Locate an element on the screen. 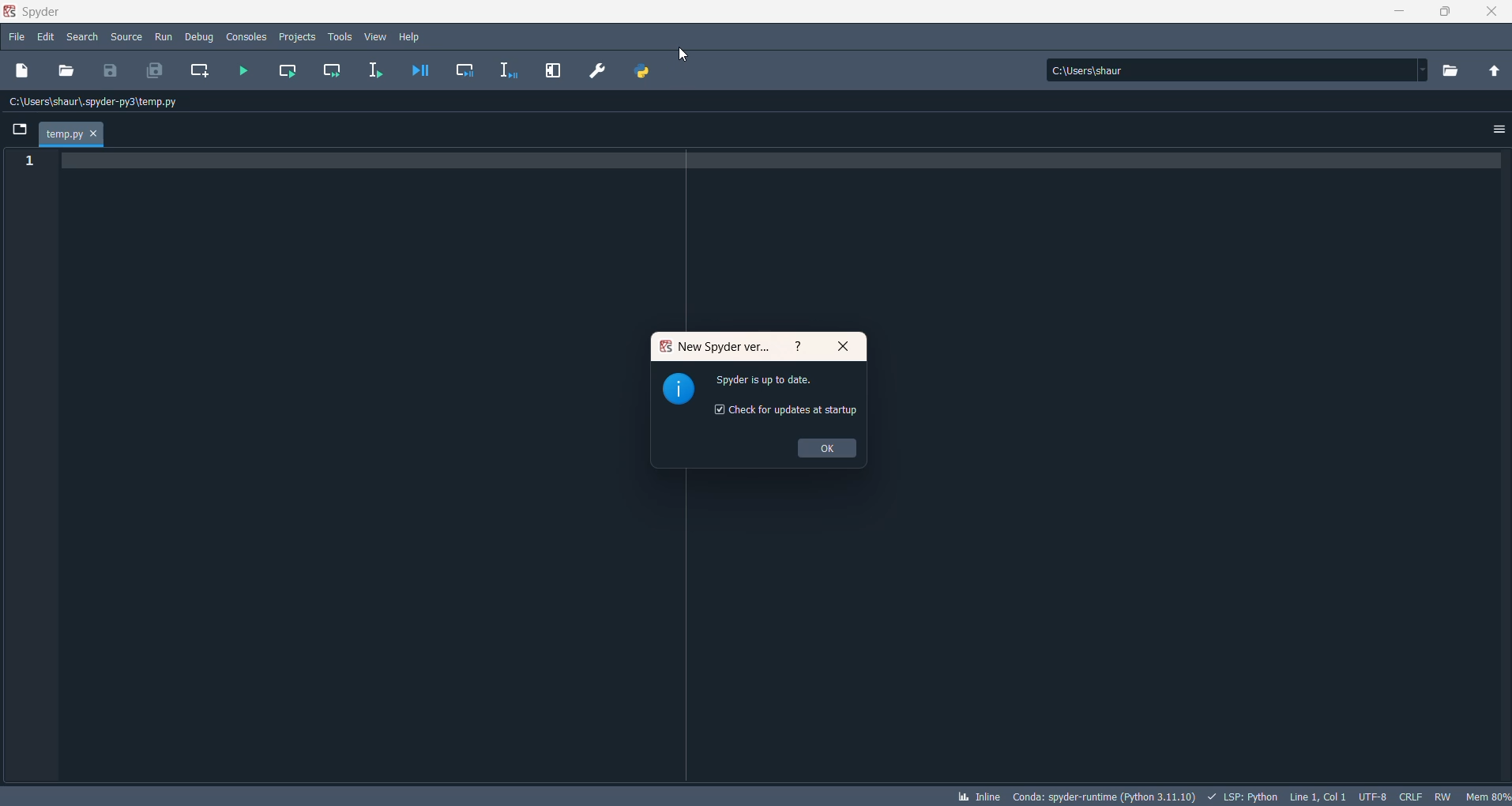 The height and width of the screenshot is (806, 1512). SCRIPT is located at coordinates (1244, 795).